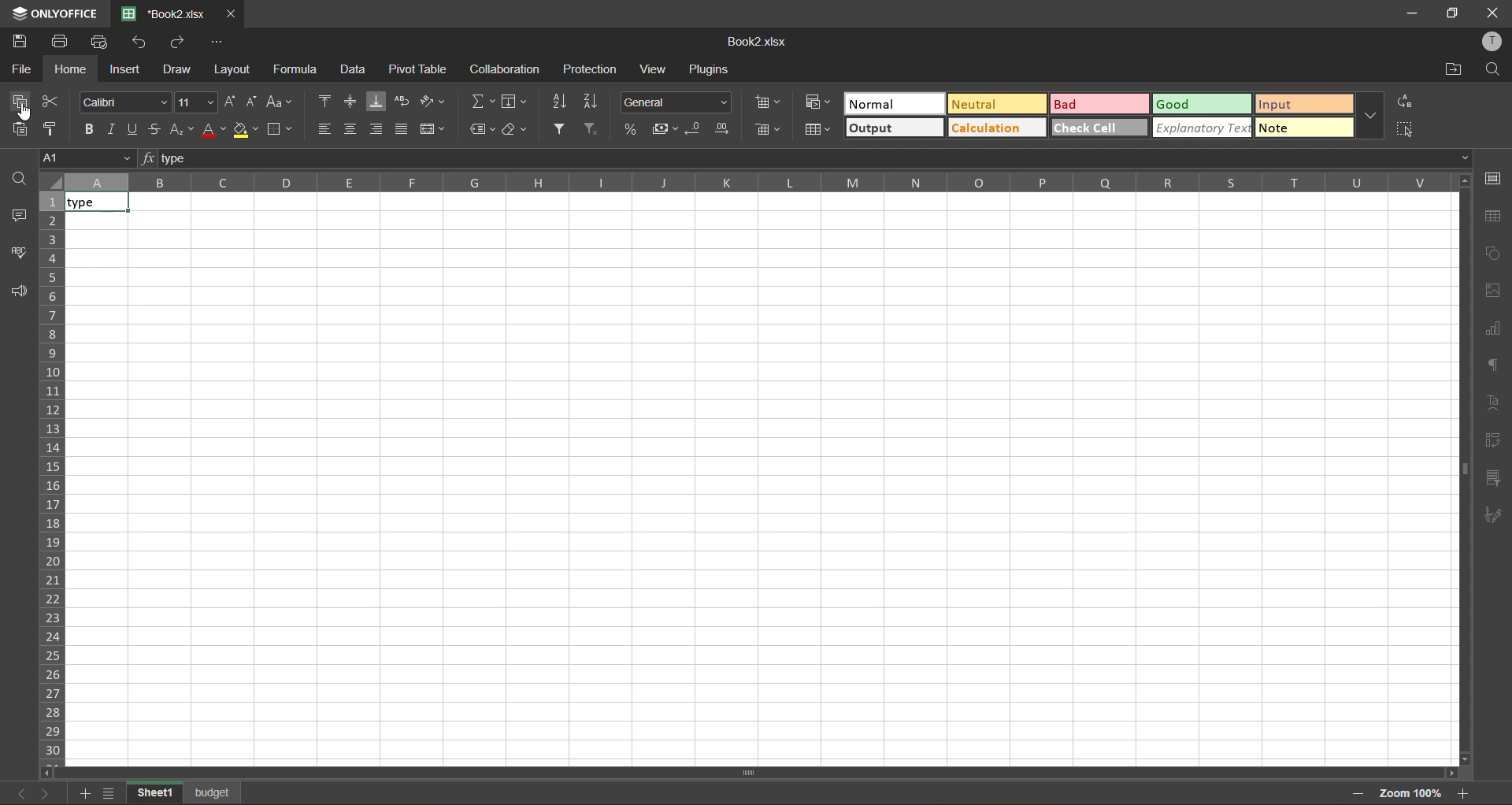  Describe the element at coordinates (895, 128) in the screenshot. I see `output` at that location.